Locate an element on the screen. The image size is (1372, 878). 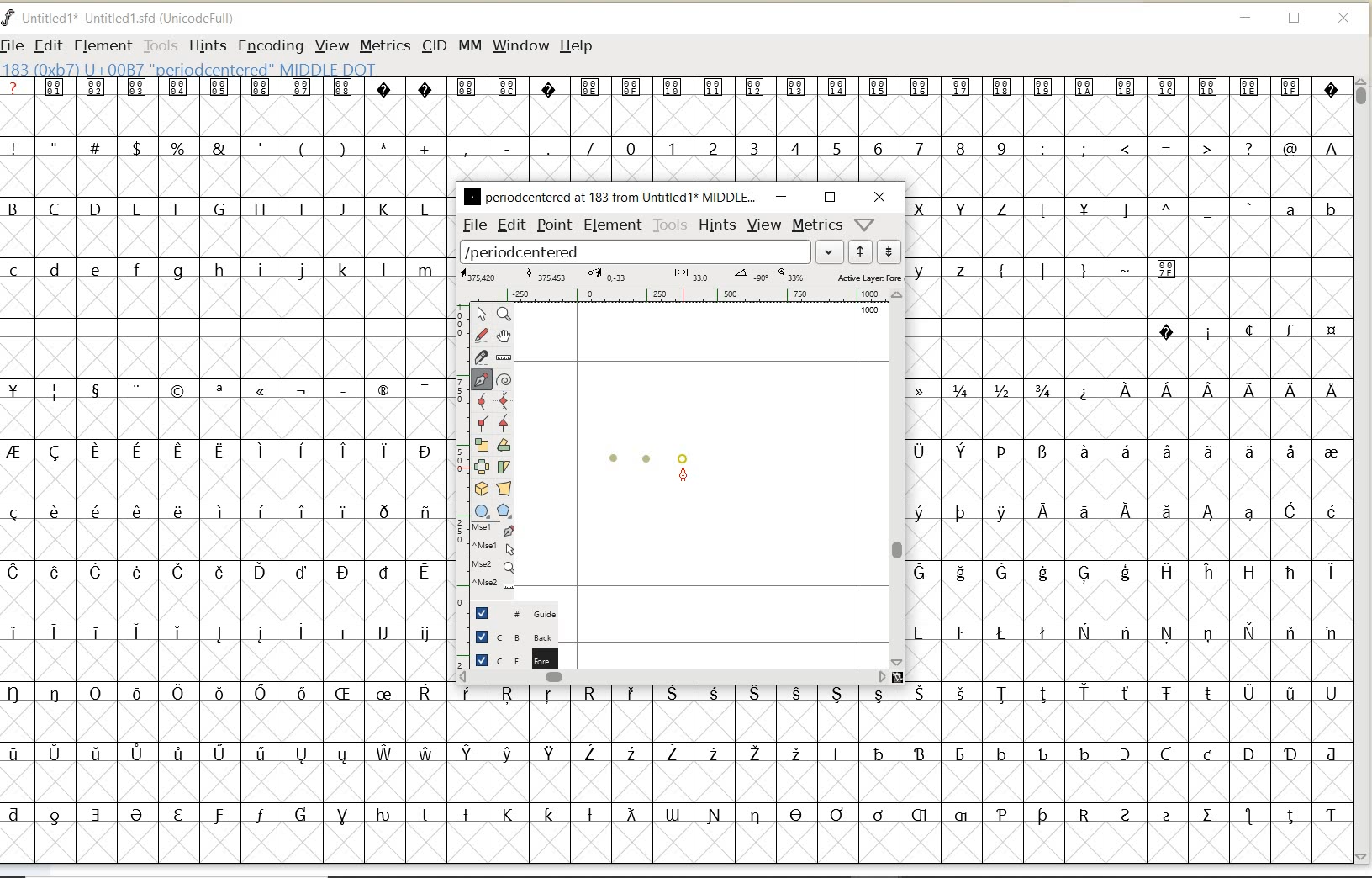
VIEW is located at coordinates (332, 46).